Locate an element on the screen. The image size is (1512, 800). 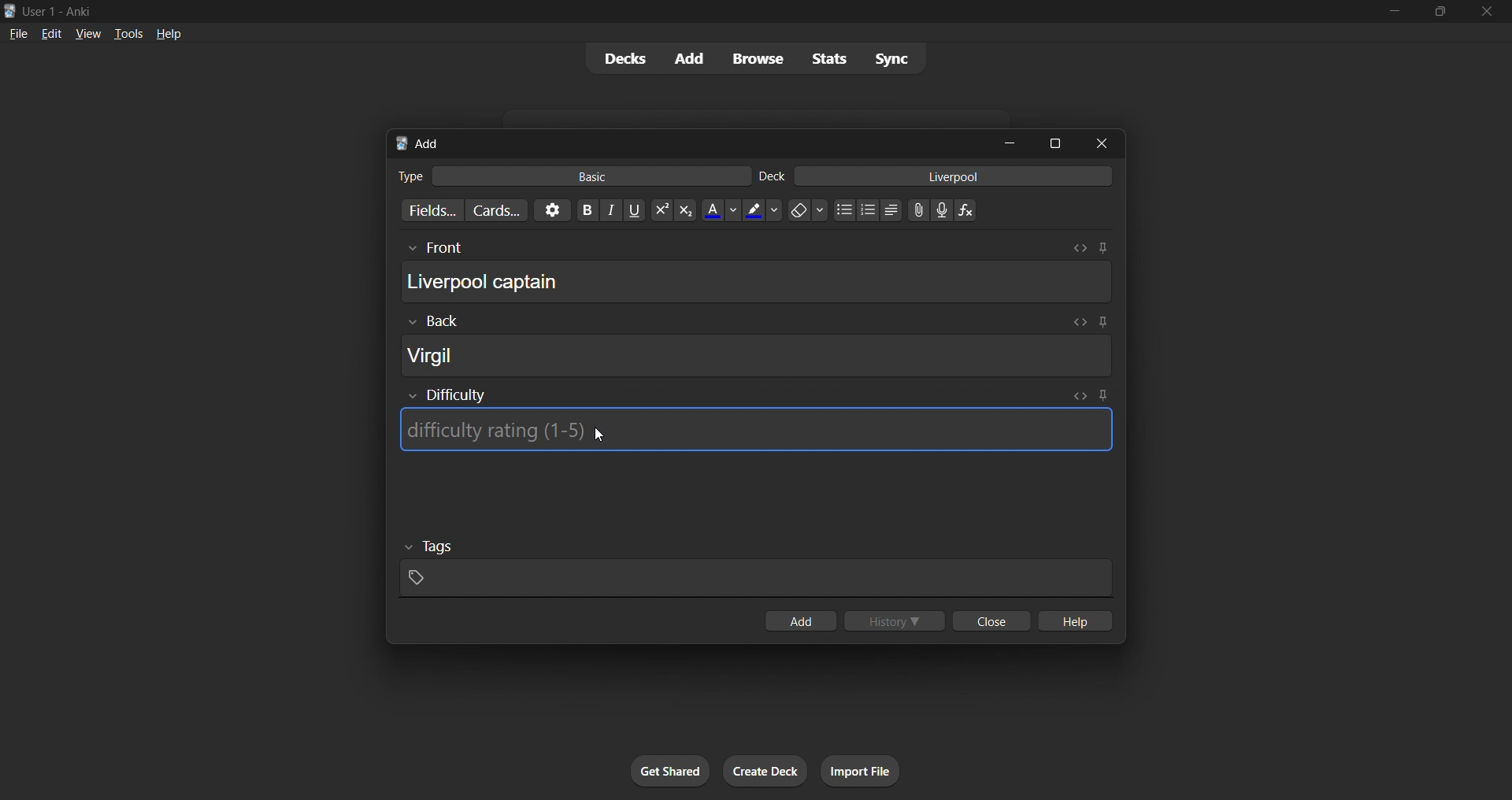
Equation is located at coordinates (965, 210).